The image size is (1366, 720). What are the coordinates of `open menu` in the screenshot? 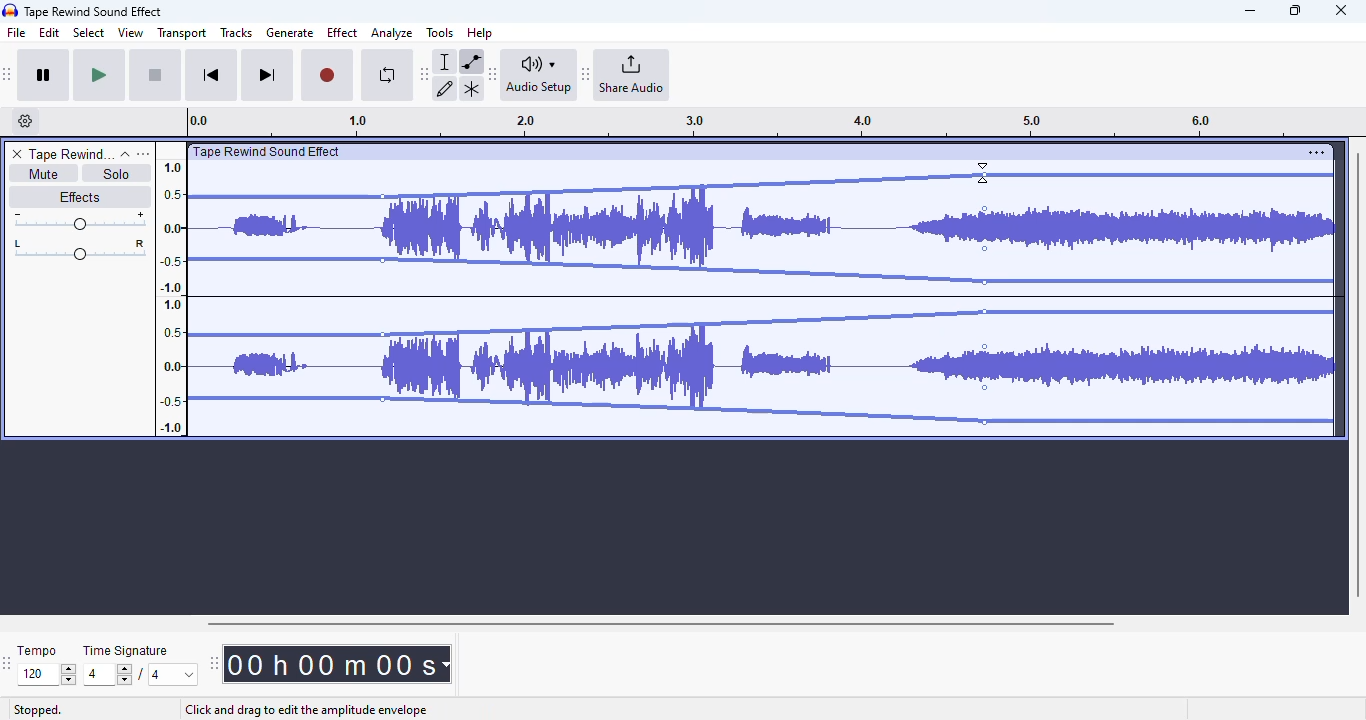 It's located at (143, 153).